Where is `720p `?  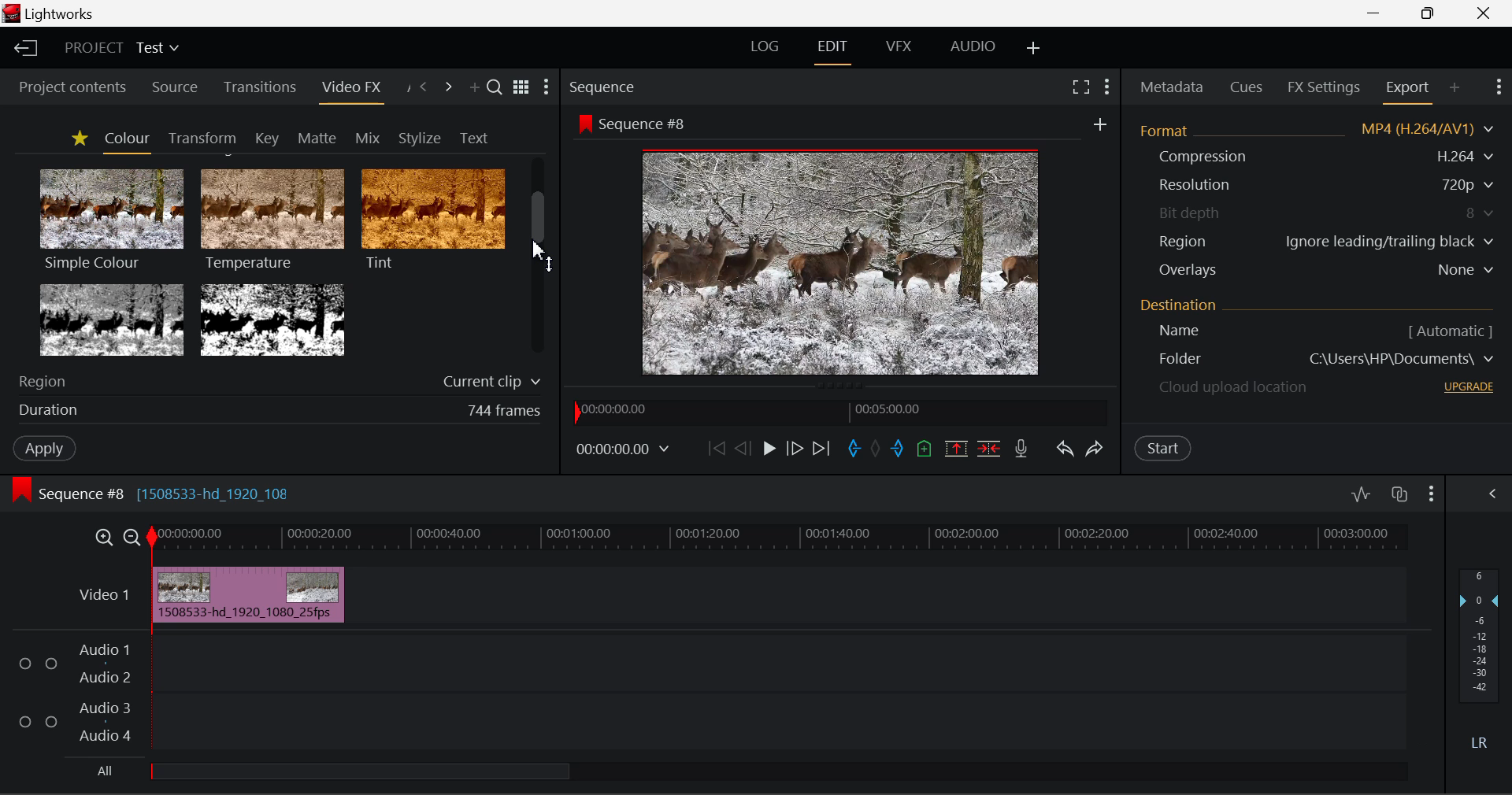 720p  is located at coordinates (1469, 184).